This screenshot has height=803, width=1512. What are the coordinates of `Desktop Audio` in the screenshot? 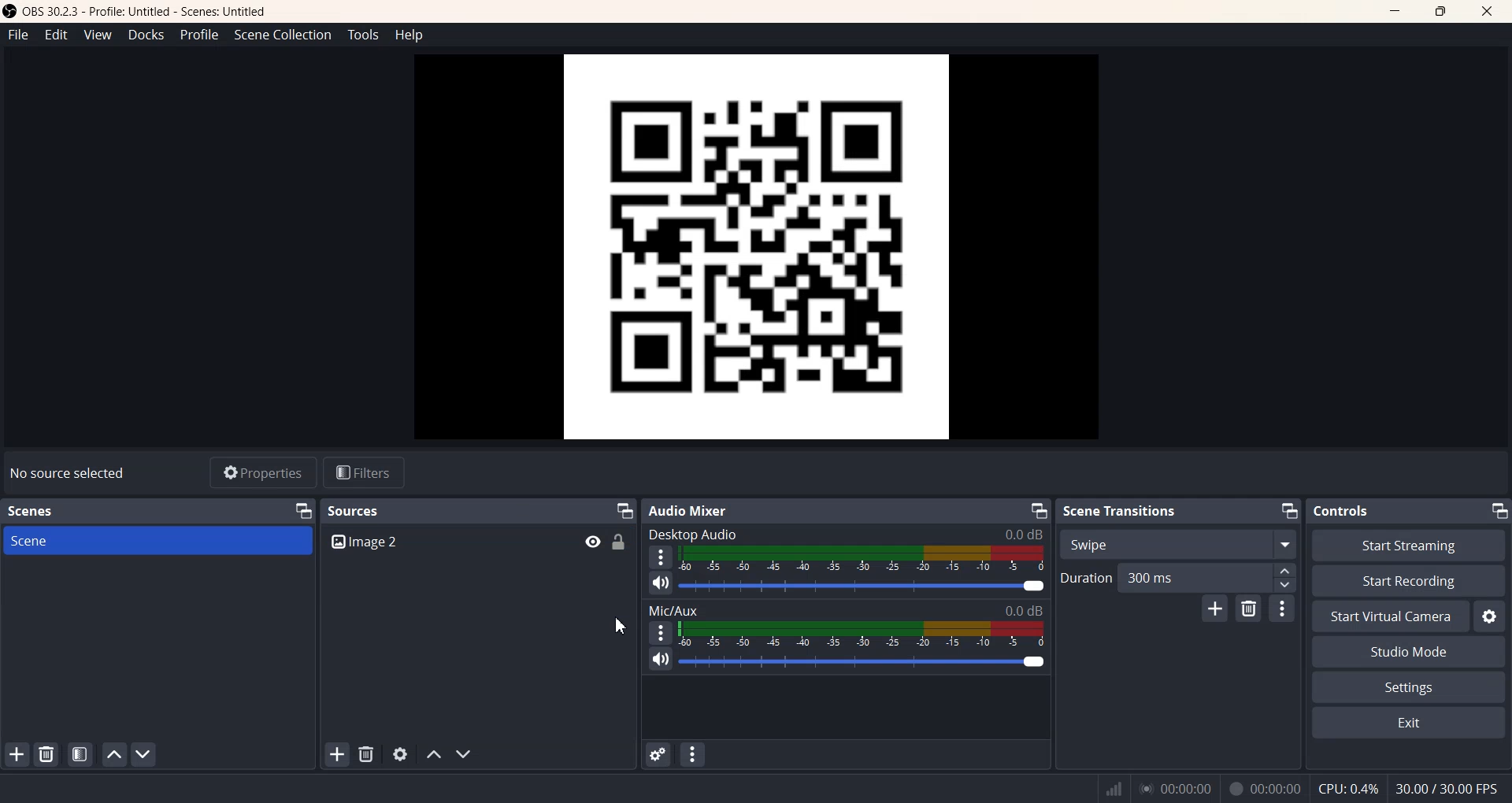 It's located at (847, 533).